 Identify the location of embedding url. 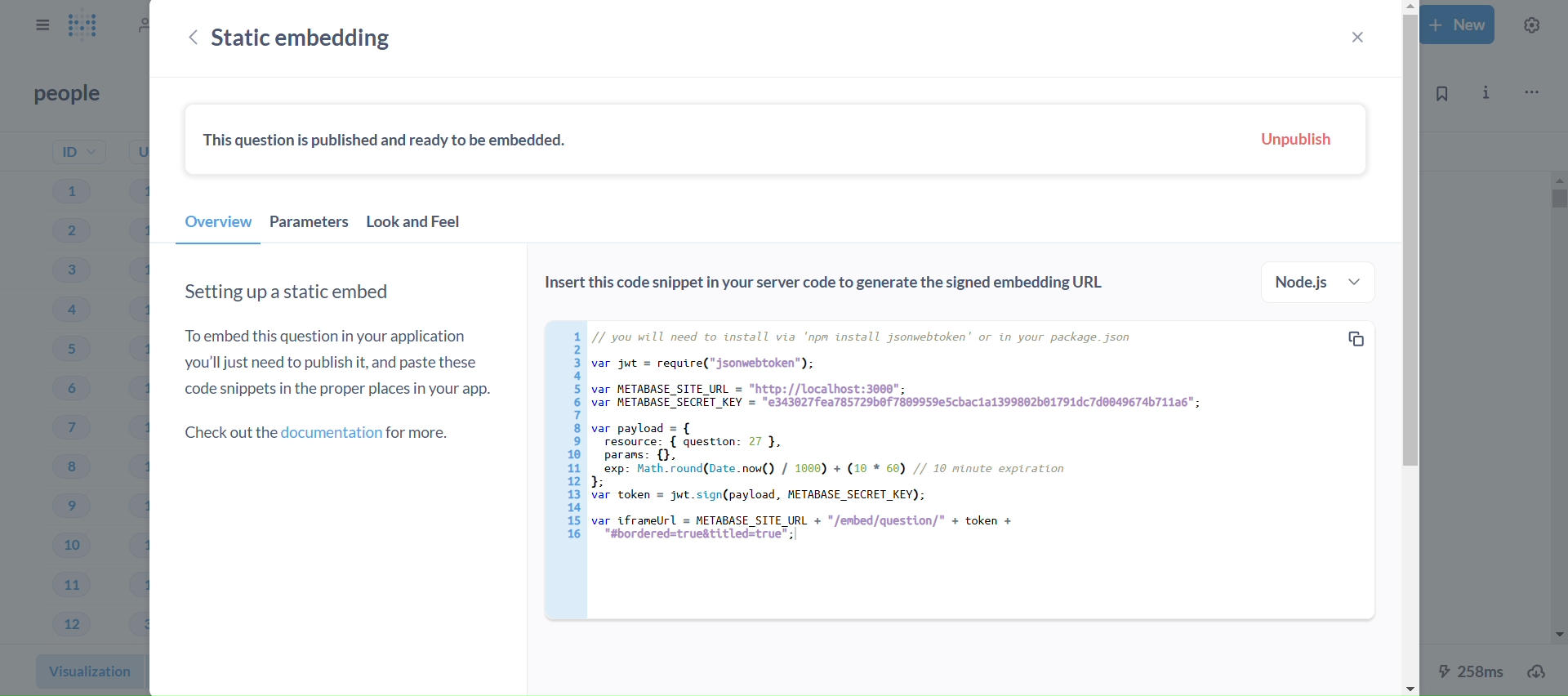
(958, 468).